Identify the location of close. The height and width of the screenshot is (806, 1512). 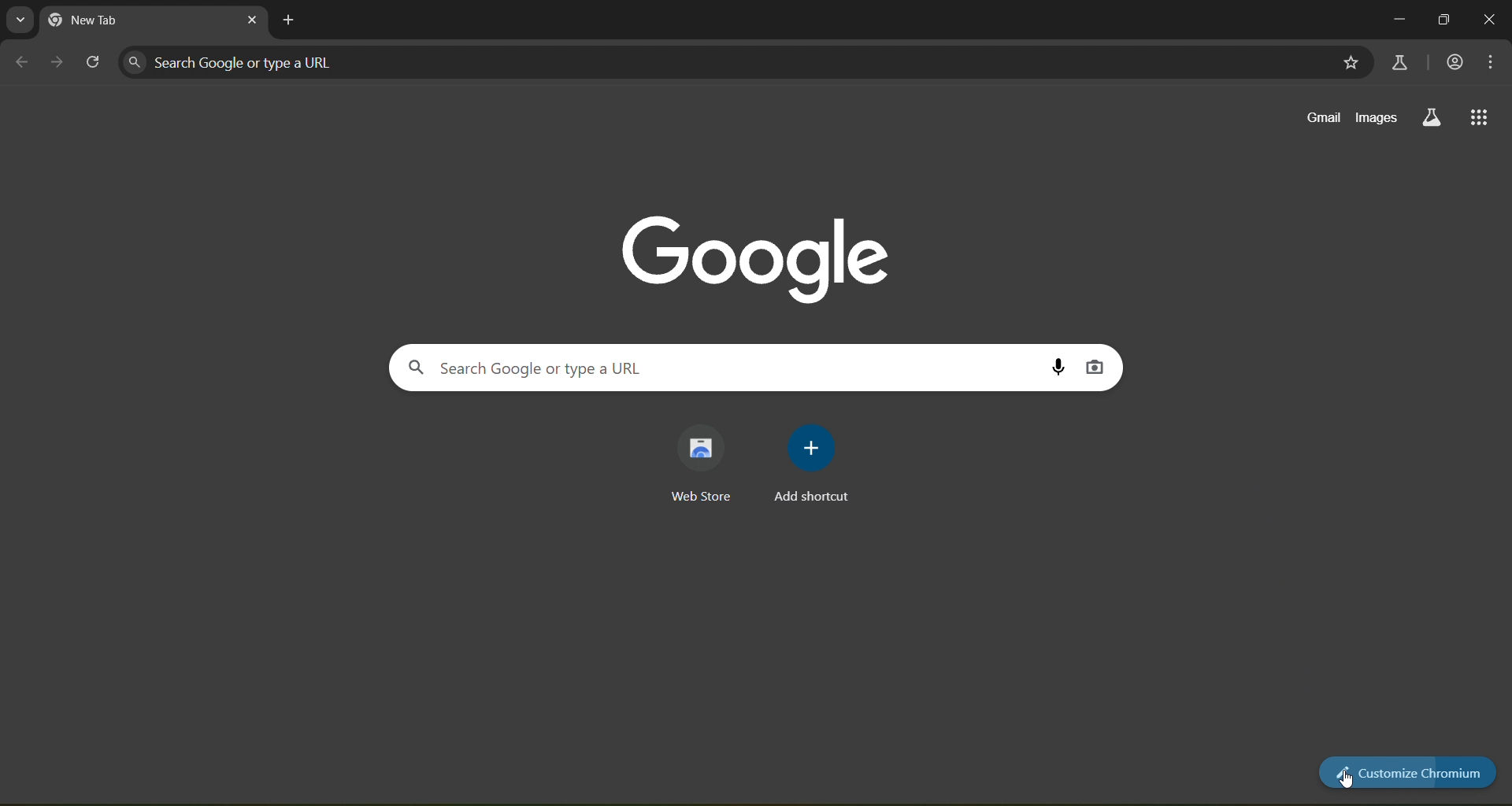
(1491, 20).